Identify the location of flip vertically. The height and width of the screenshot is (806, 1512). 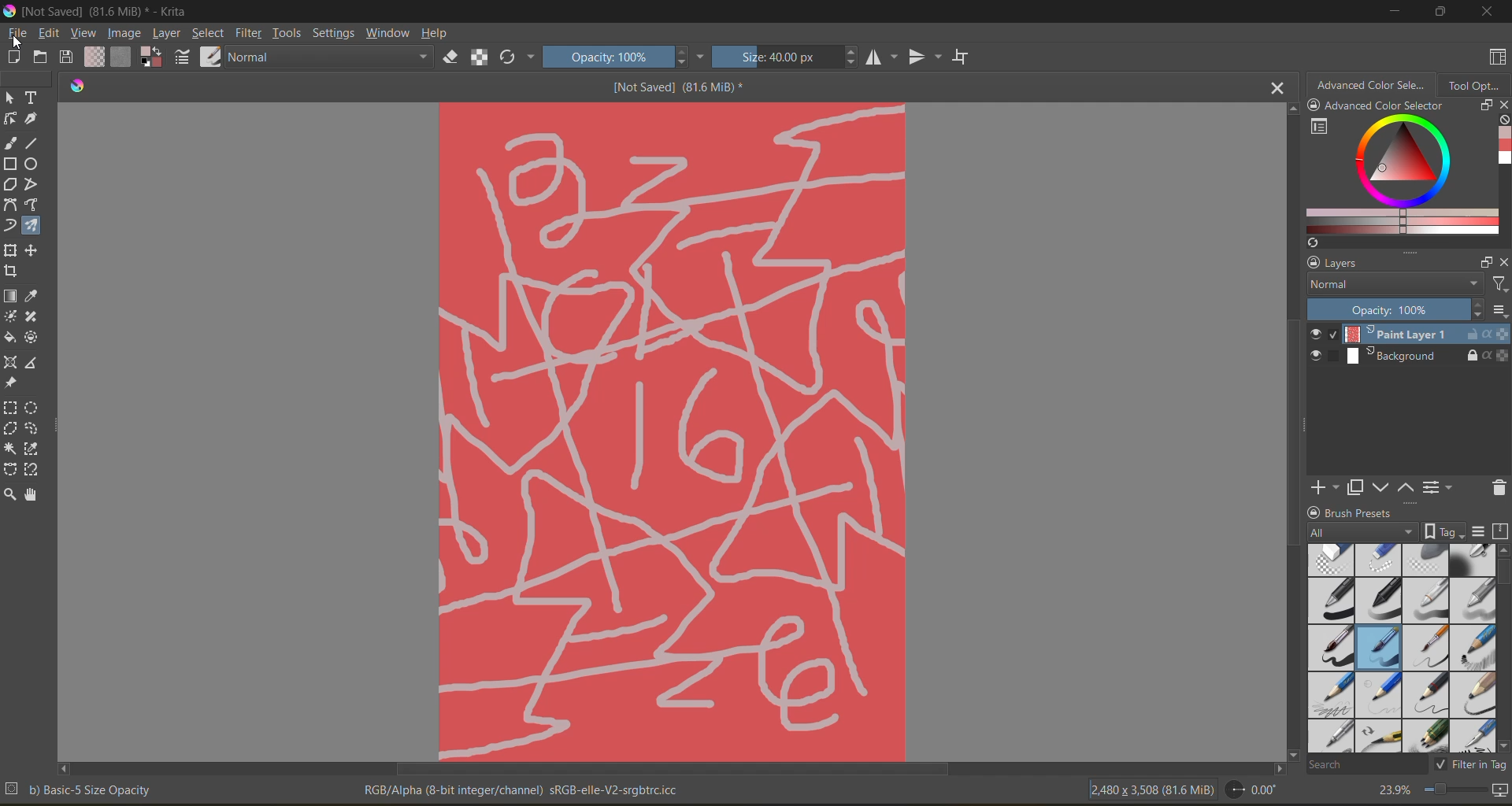
(922, 58).